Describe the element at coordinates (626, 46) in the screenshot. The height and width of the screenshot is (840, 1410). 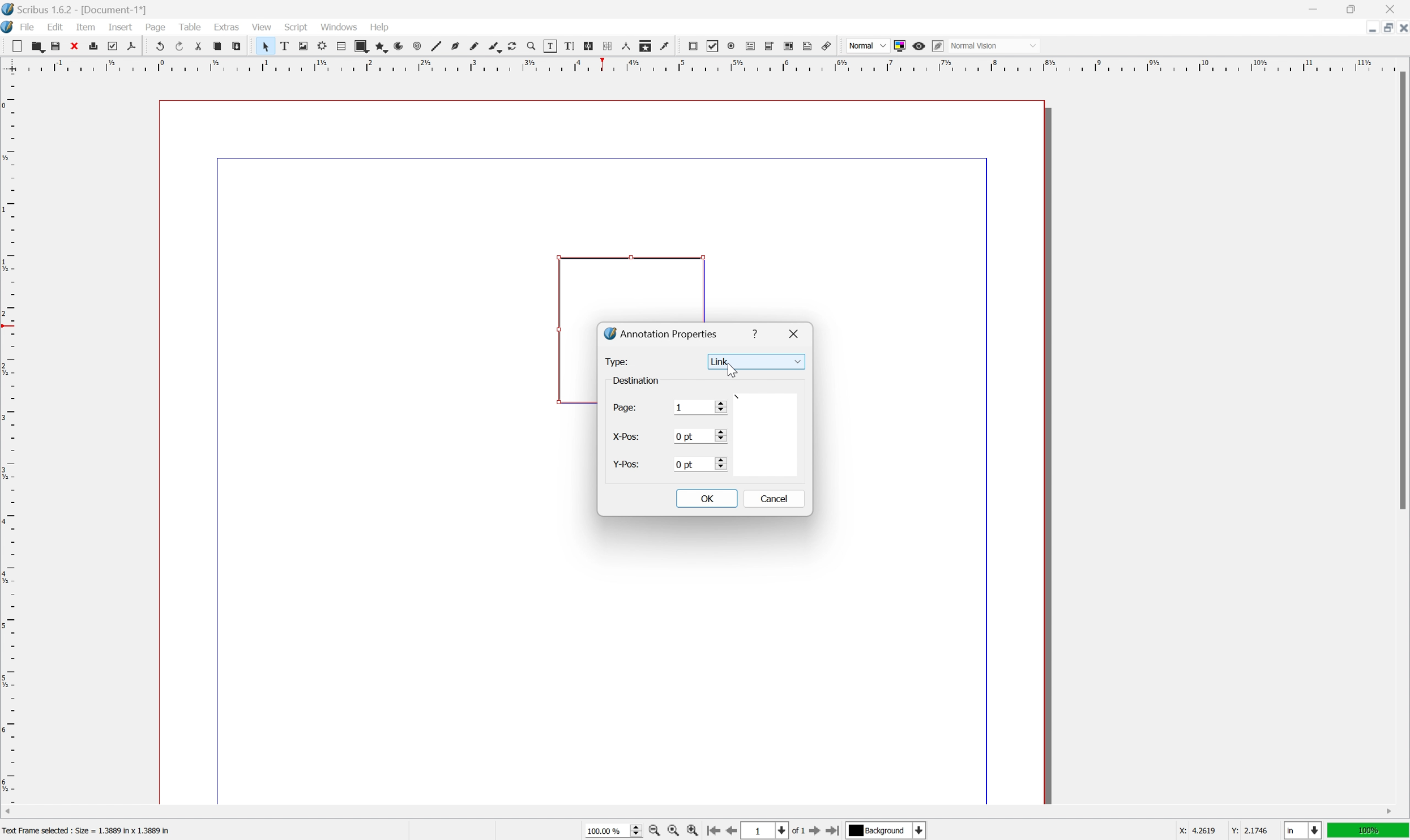
I see `measurements` at that location.